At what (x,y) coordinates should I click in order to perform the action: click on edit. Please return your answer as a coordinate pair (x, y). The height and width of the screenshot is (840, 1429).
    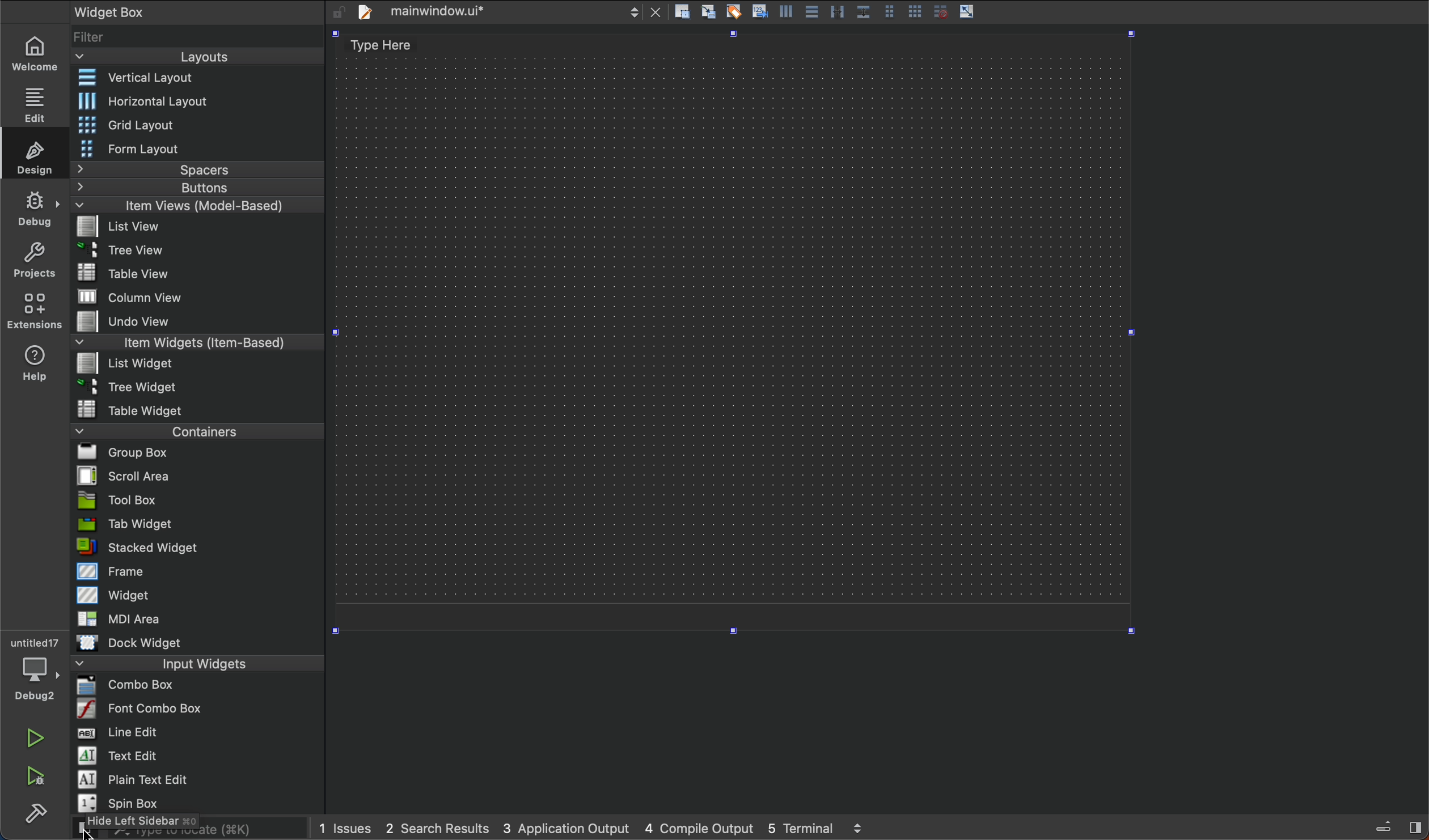
    Looking at the image, I should click on (35, 104).